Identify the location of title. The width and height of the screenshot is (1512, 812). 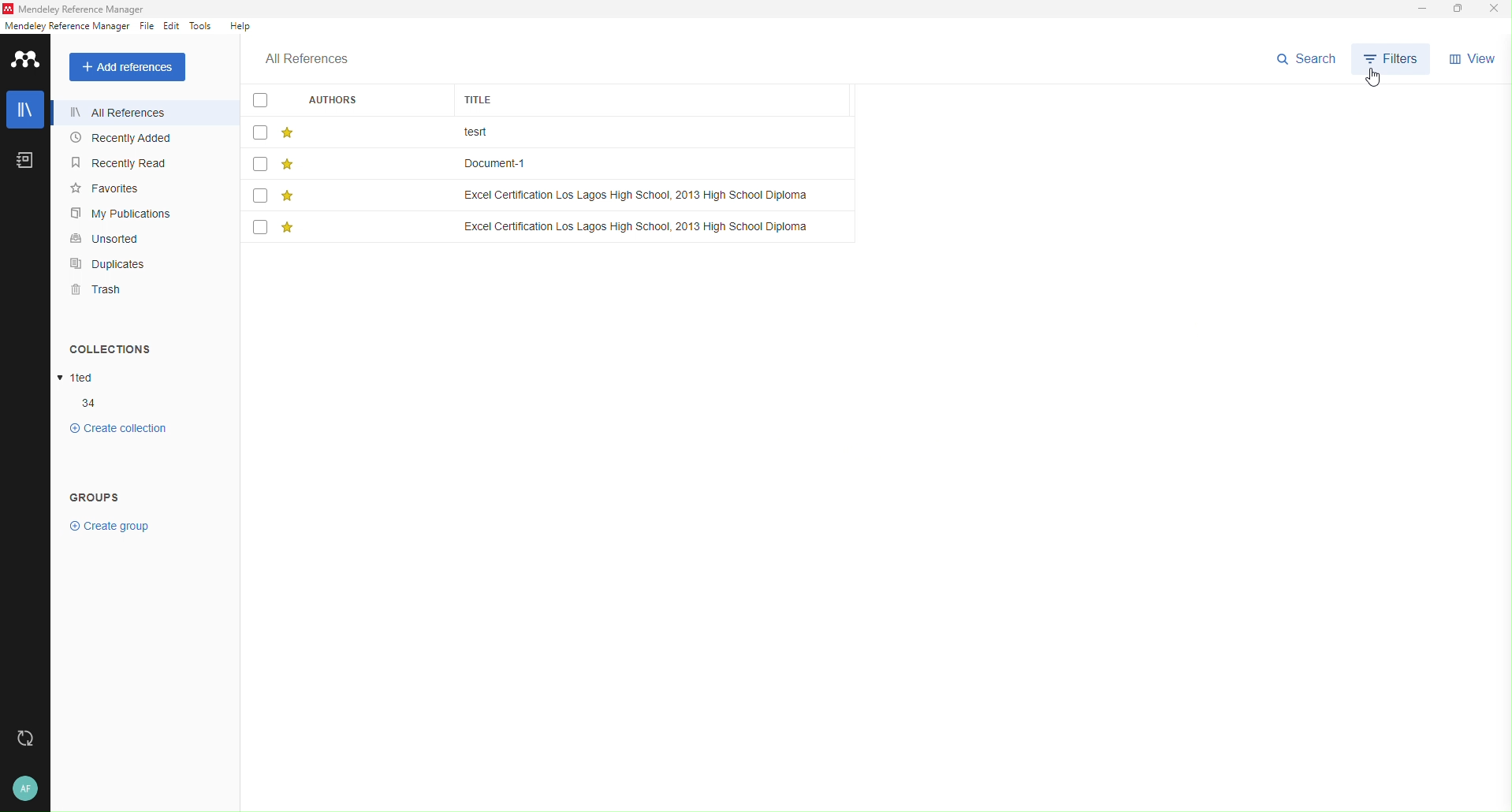
(482, 132).